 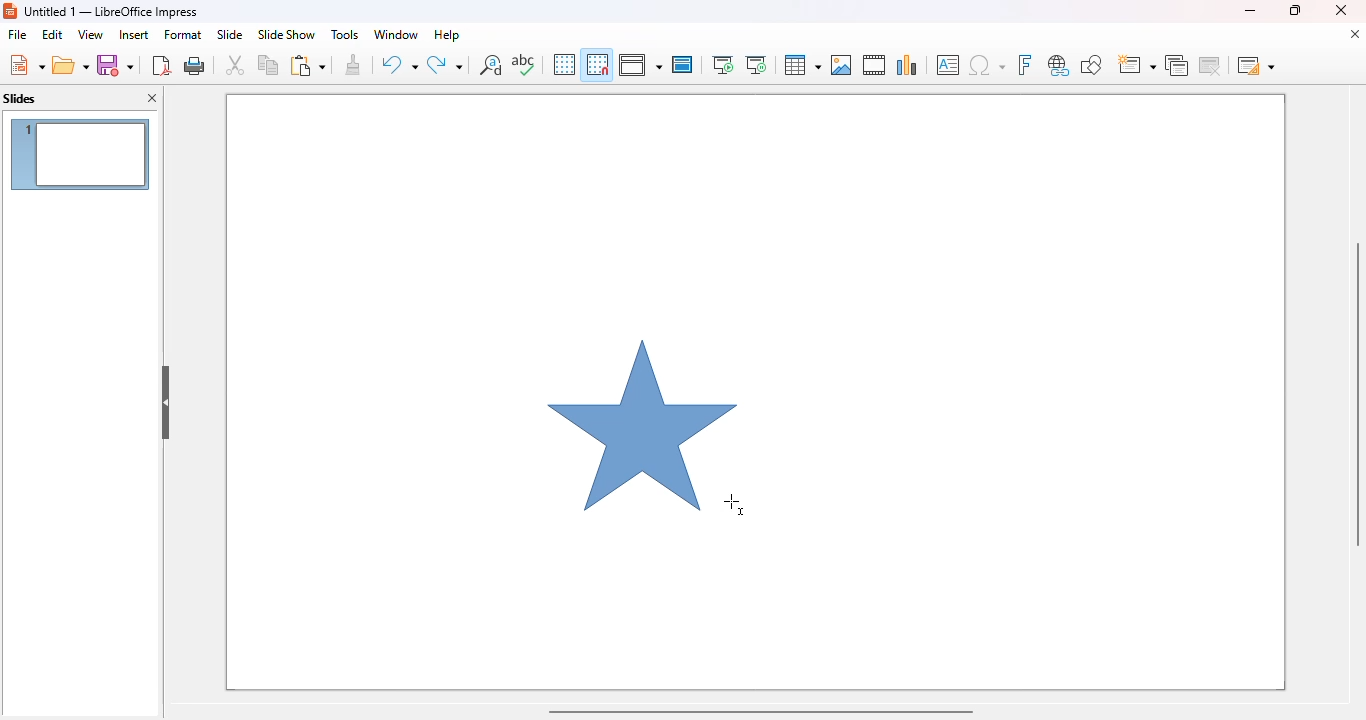 What do you see at coordinates (682, 64) in the screenshot?
I see `master slide` at bounding box center [682, 64].